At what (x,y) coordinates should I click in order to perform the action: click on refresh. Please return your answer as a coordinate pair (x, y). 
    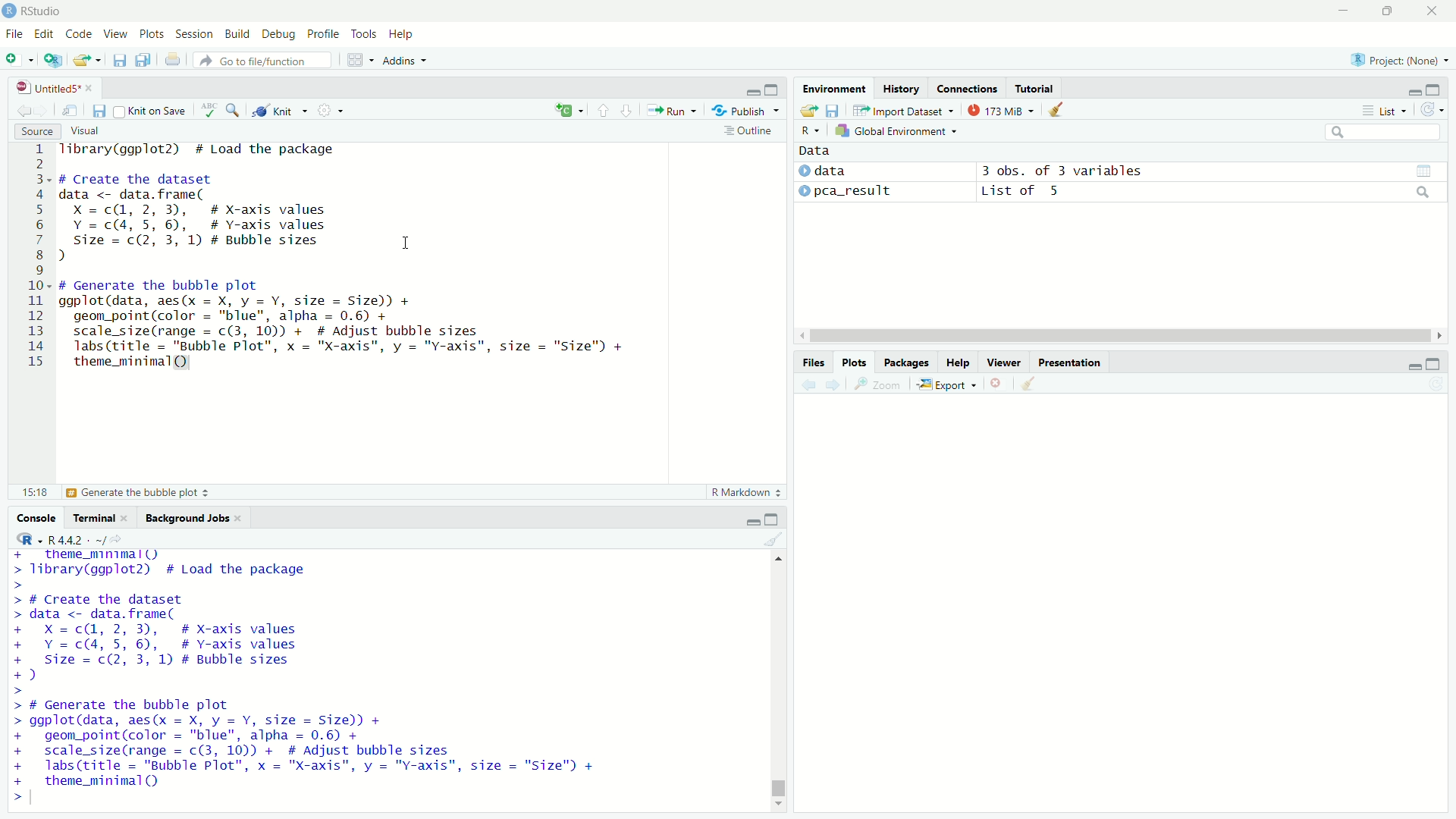
    Looking at the image, I should click on (1433, 109).